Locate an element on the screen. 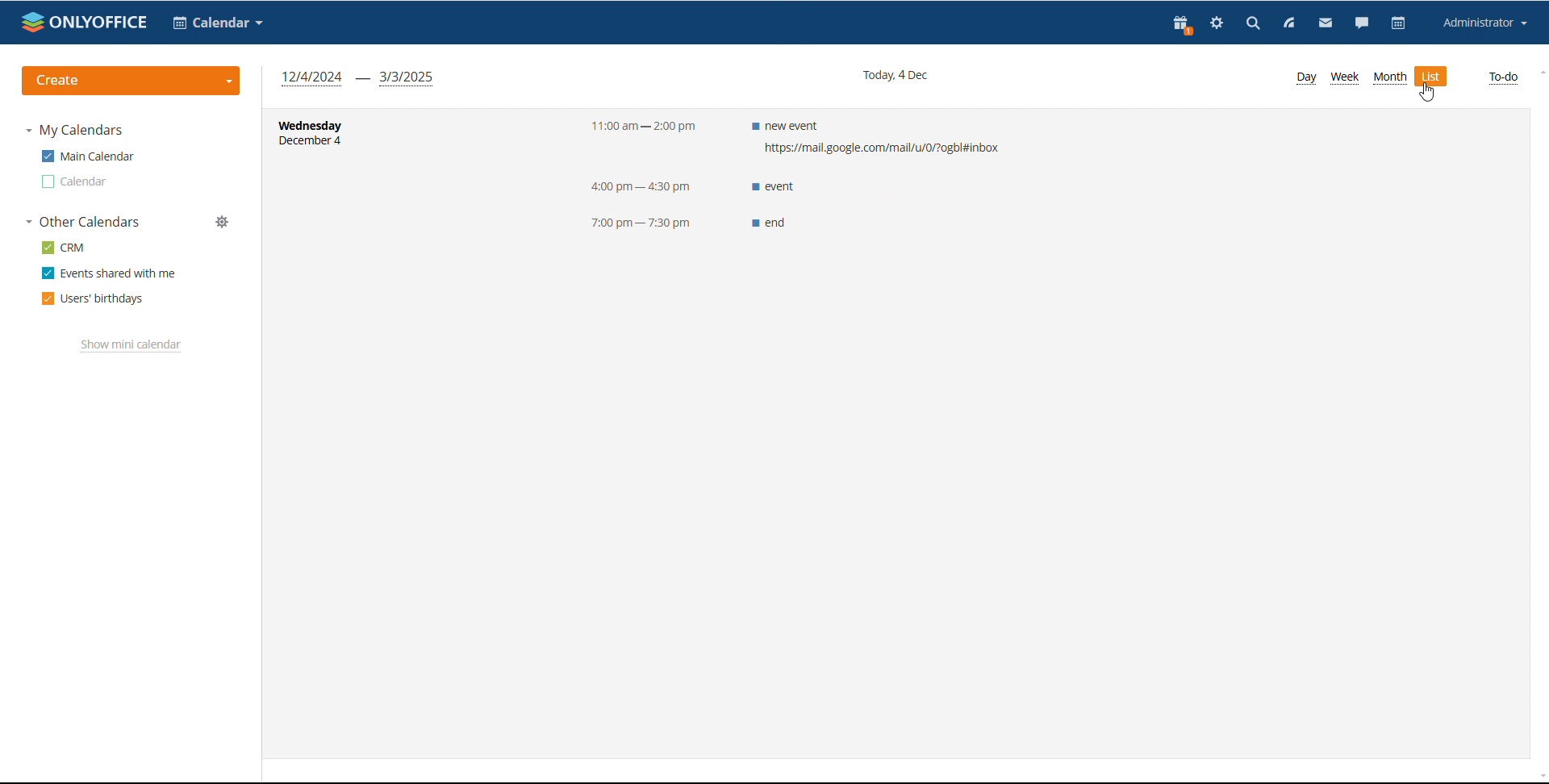 The image size is (1549, 784). chat is located at coordinates (1361, 24).